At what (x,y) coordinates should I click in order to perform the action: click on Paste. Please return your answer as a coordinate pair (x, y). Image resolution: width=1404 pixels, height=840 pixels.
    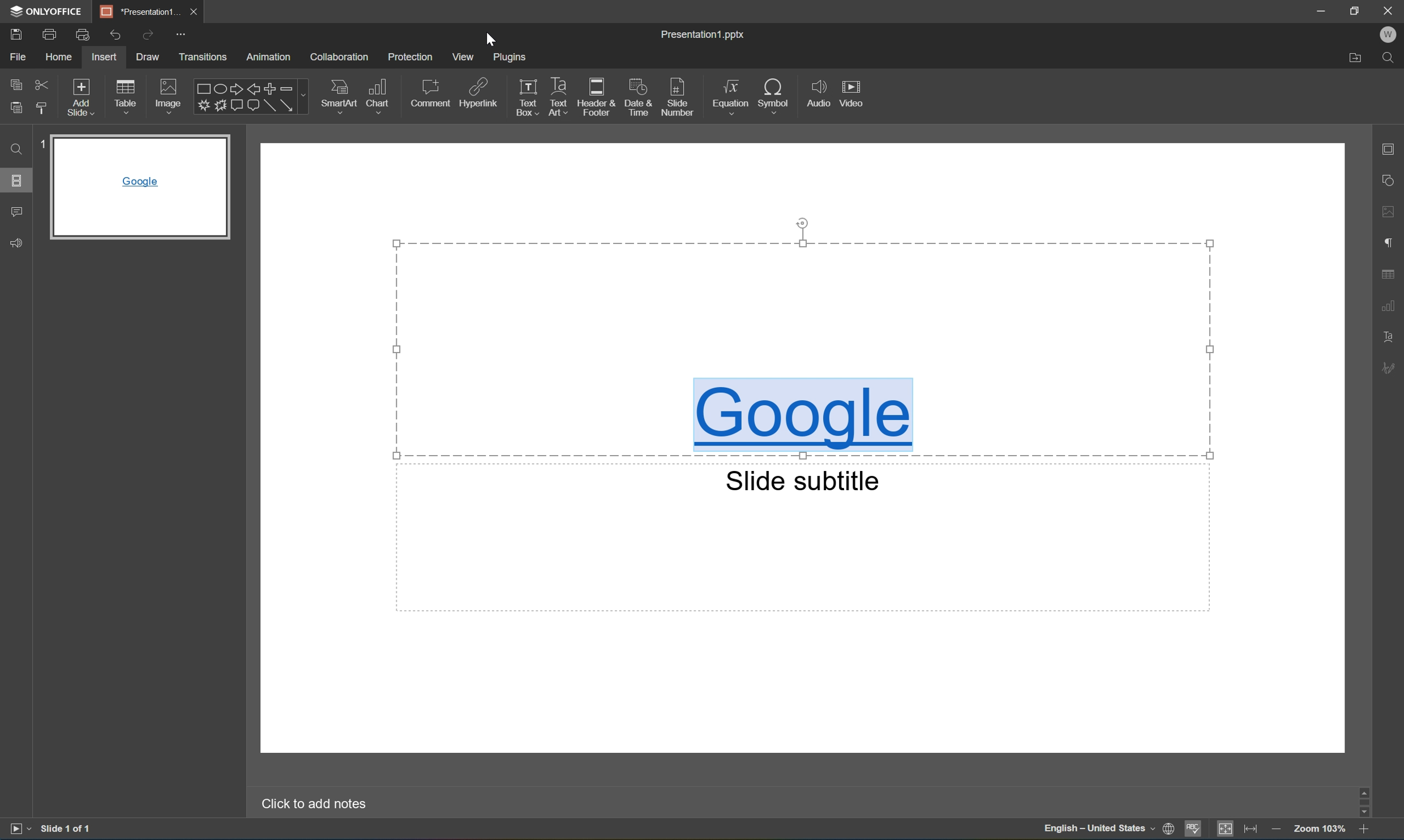
    Looking at the image, I should click on (16, 108).